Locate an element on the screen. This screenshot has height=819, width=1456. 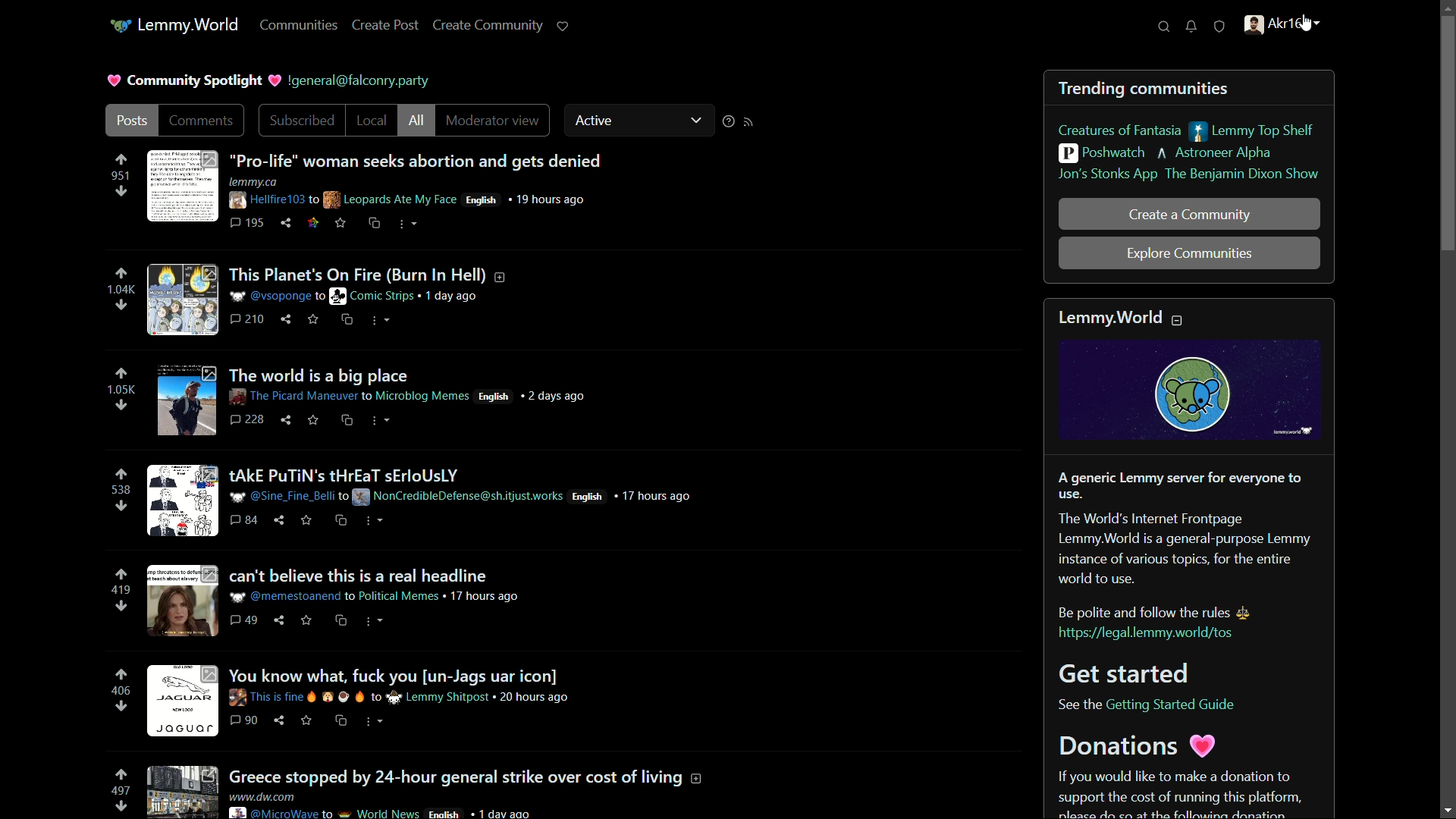
icon is located at coordinates (120, 26).